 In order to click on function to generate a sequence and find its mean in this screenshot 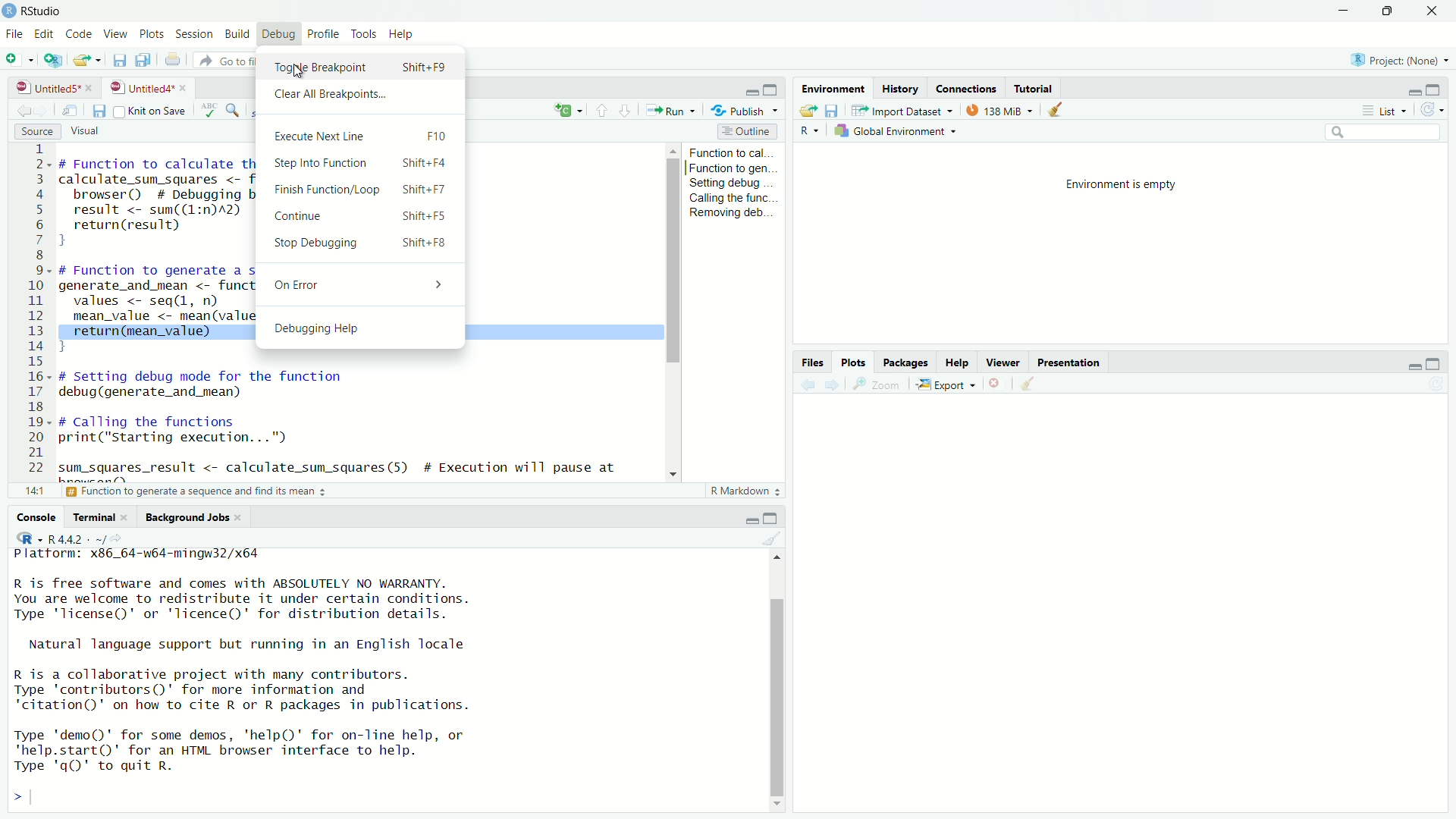, I will do `click(204, 492)`.